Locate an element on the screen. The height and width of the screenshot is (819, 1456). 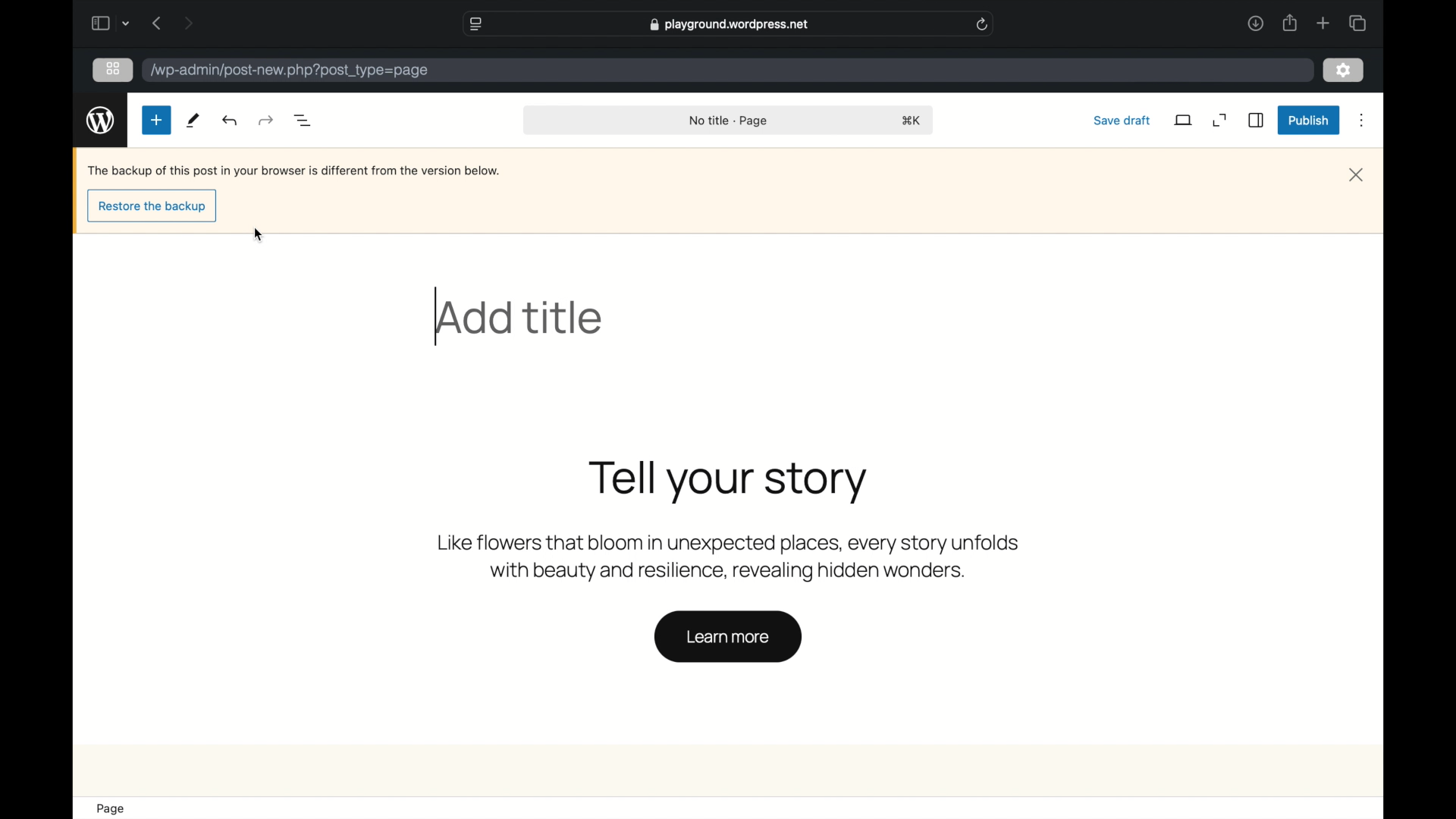
new tab is located at coordinates (1323, 23).